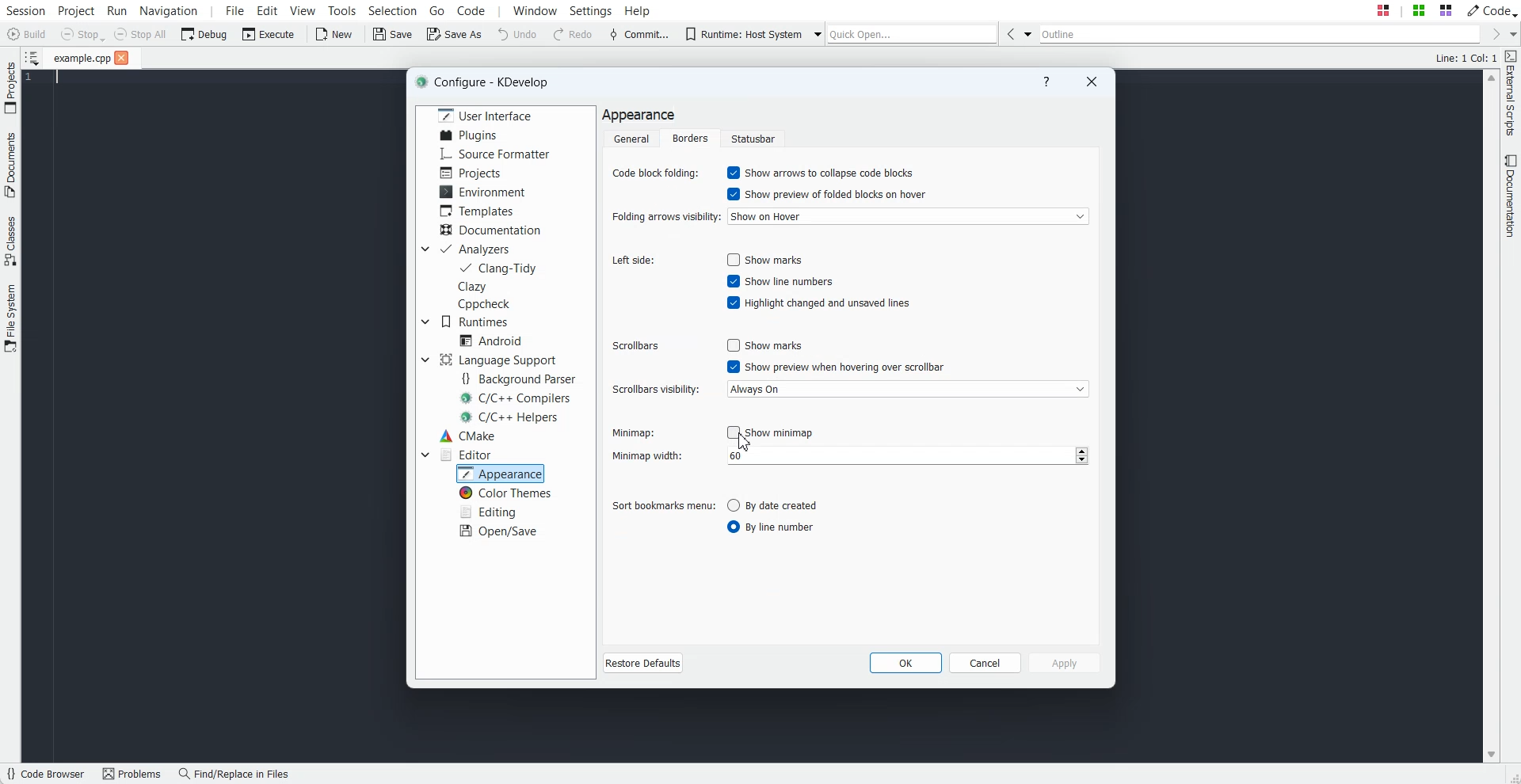  I want to click on Cursor, so click(745, 444).